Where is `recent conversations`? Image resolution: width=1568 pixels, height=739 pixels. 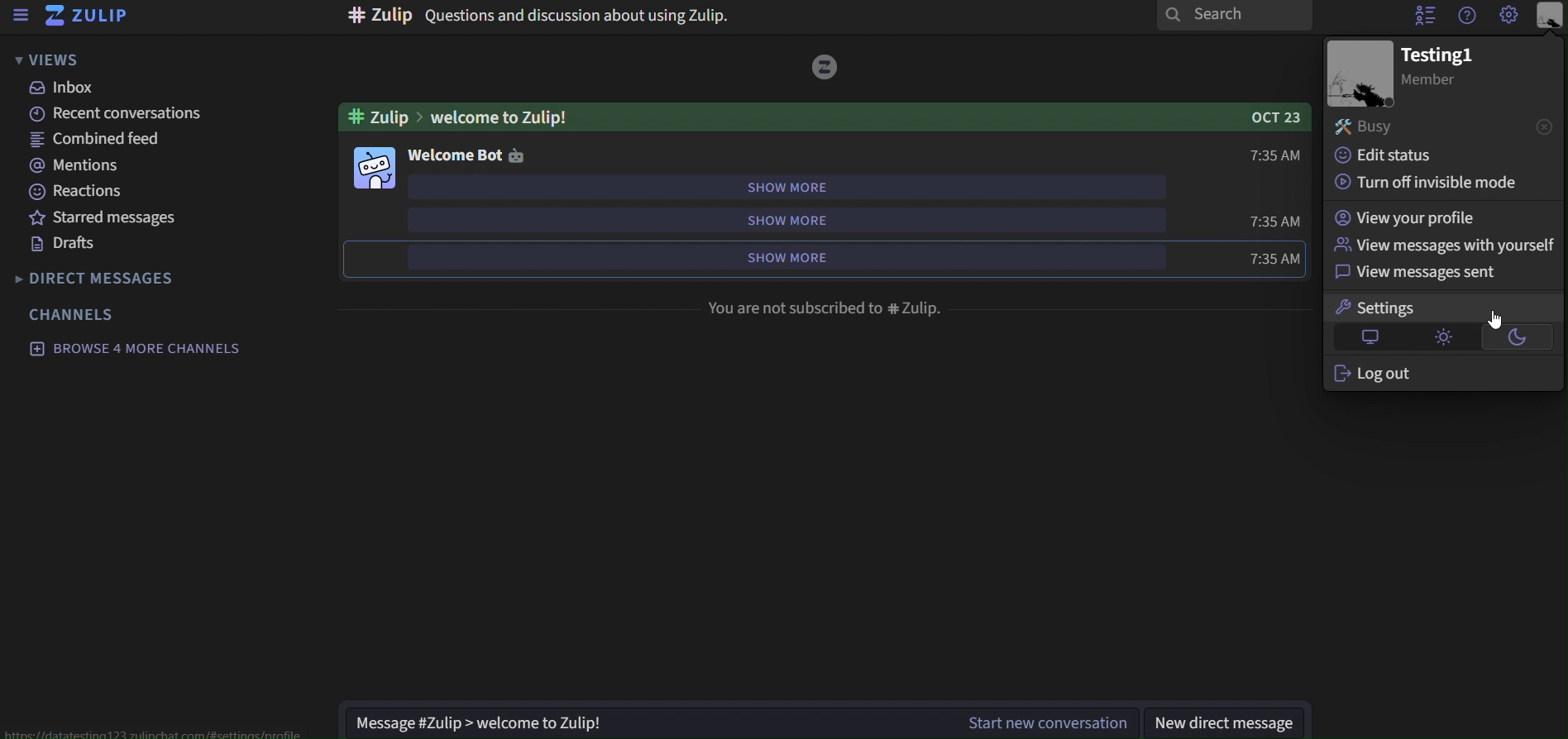
recent conversations is located at coordinates (147, 116).